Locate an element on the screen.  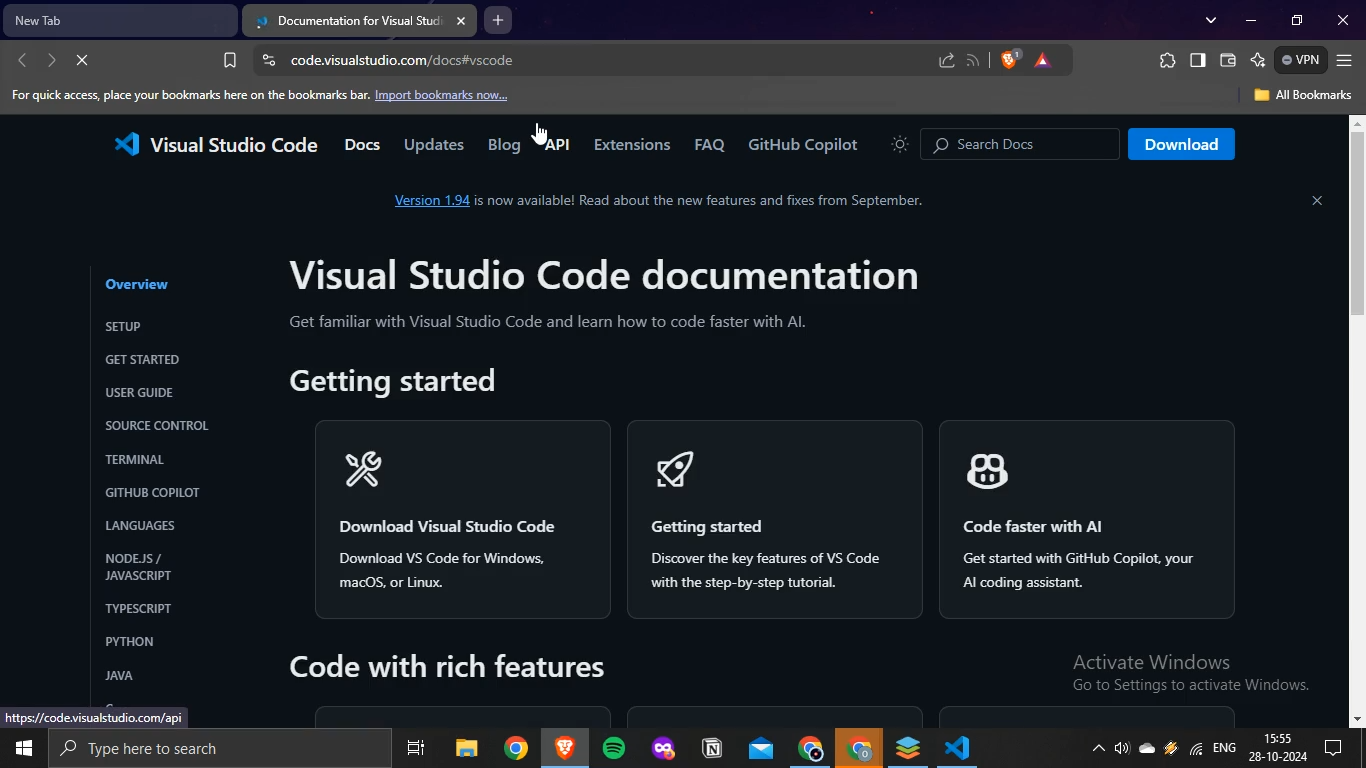
google chrome is located at coordinates (513, 750).